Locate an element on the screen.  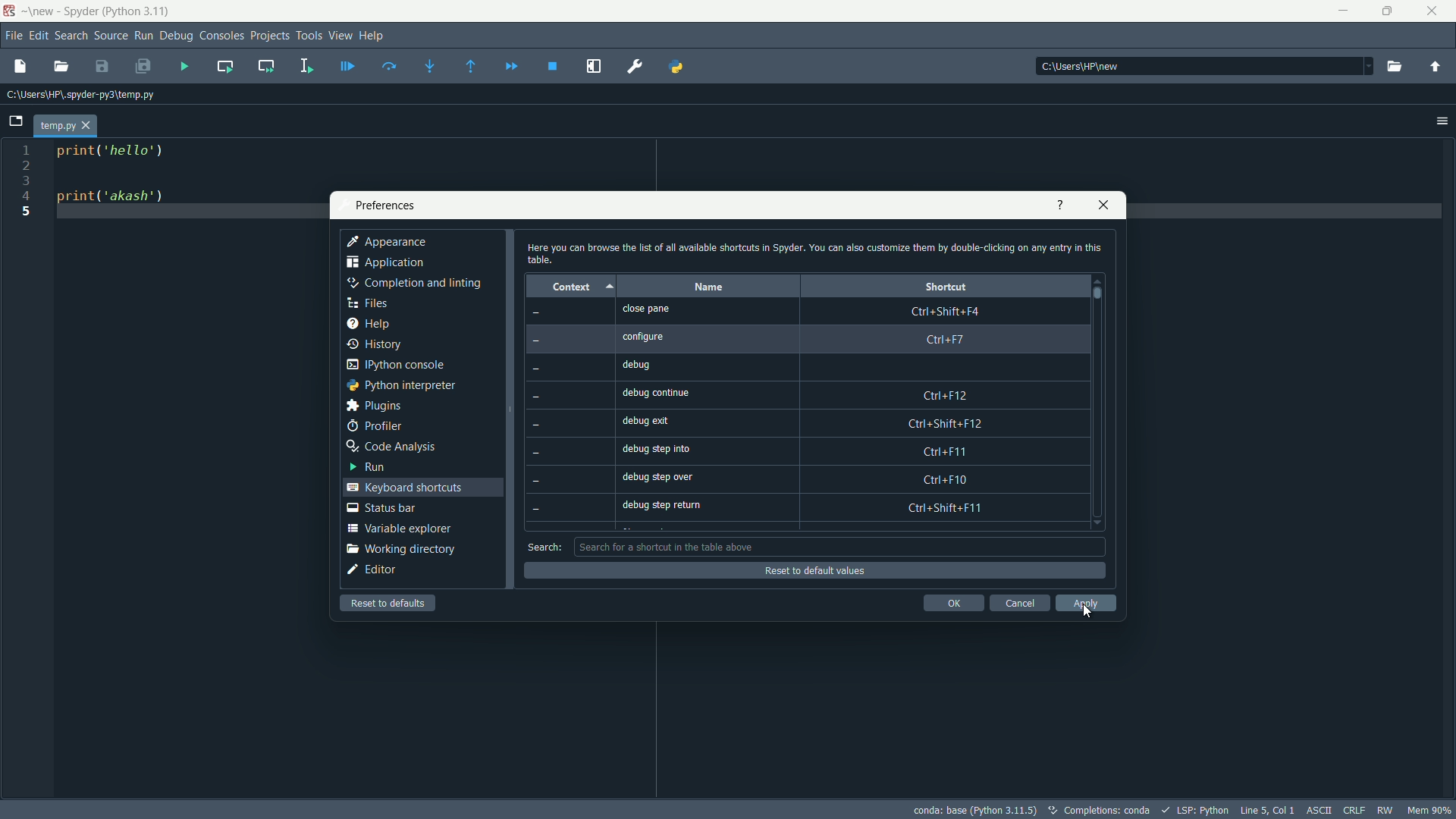
preferences is located at coordinates (638, 67).